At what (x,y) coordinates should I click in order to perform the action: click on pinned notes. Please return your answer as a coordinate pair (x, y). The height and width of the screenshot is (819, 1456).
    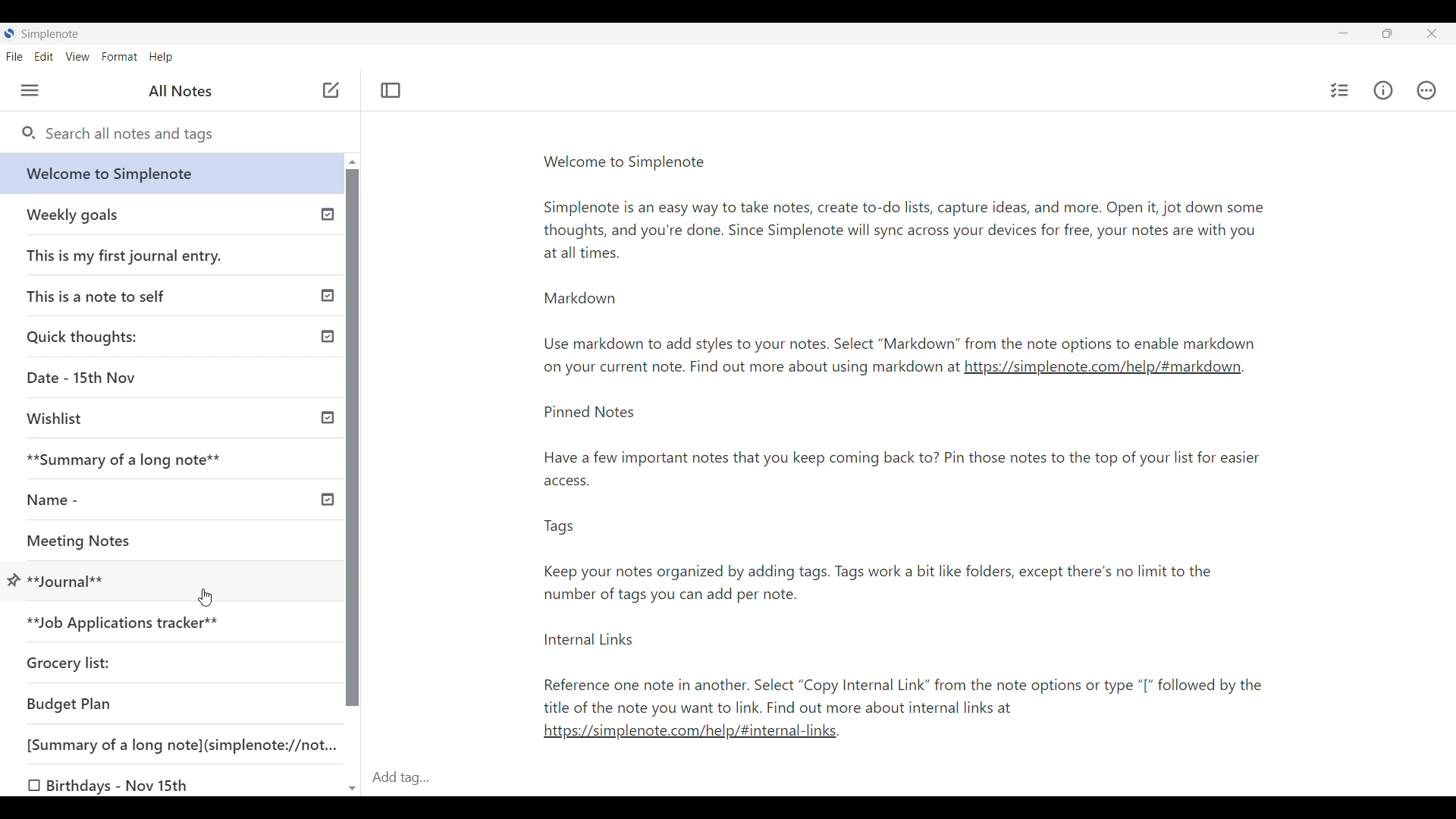
    Looking at the image, I should click on (904, 558).